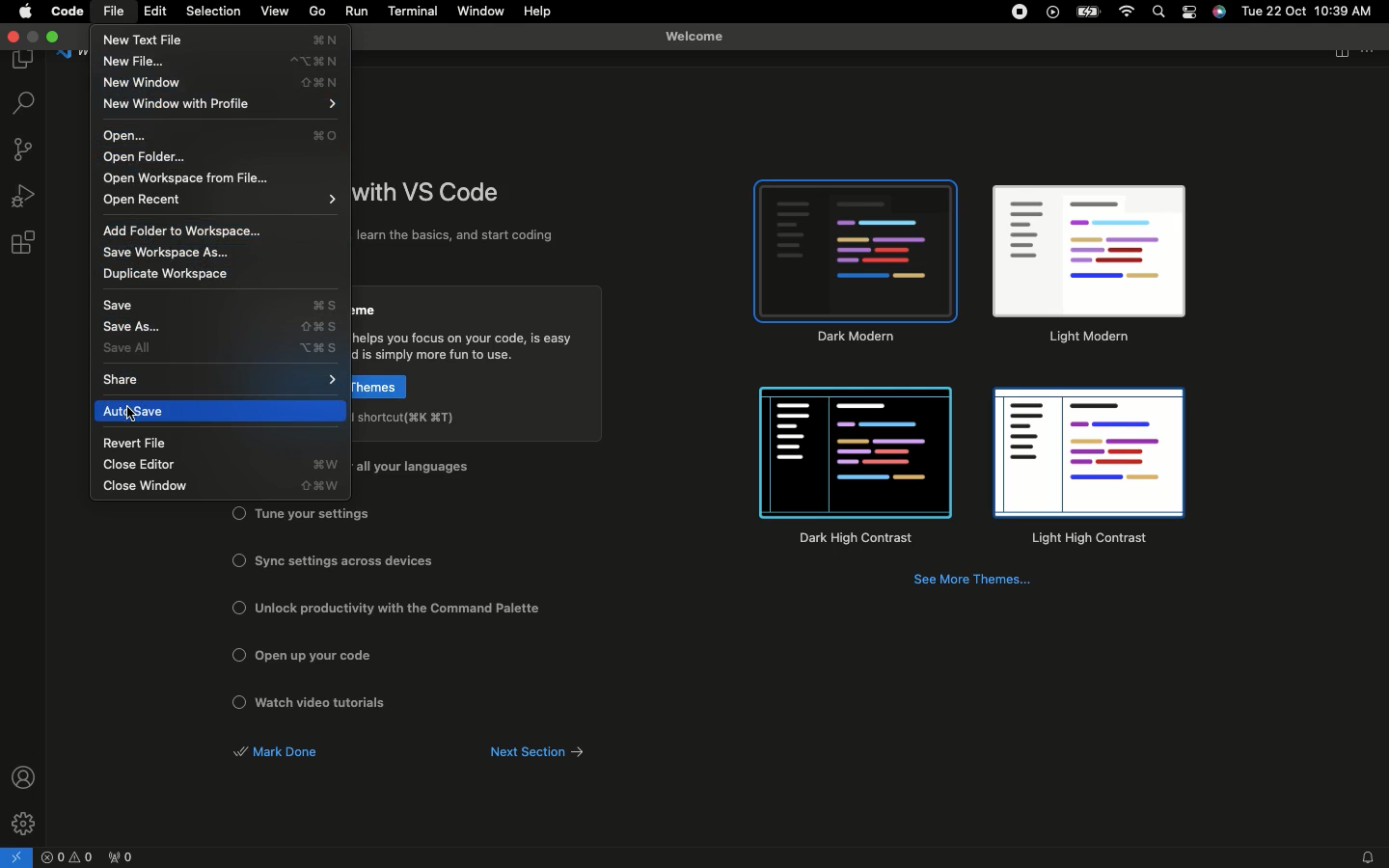 Image resolution: width=1389 pixels, height=868 pixels. What do you see at coordinates (138, 444) in the screenshot?
I see `Revert file` at bounding box center [138, 444].